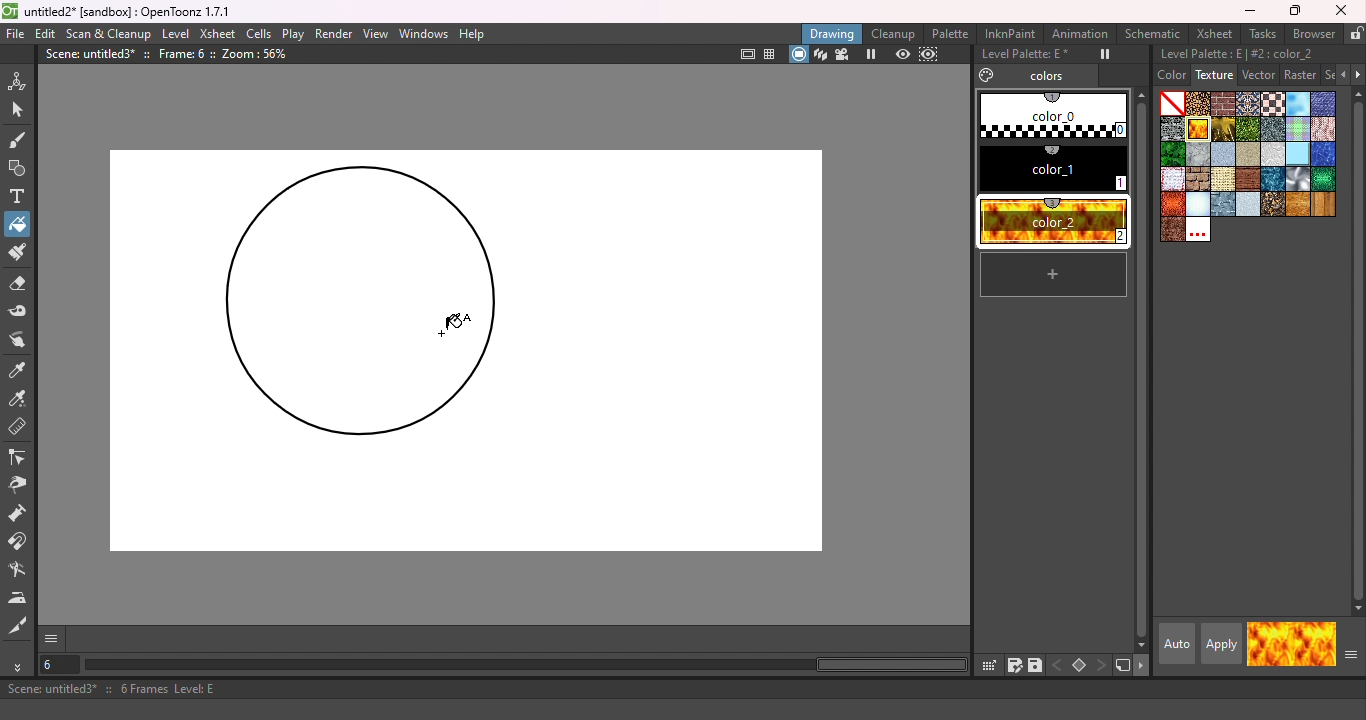  Describe the element at coordinates (1260, 34) in the screenshot. I see `Tasks` at that location.